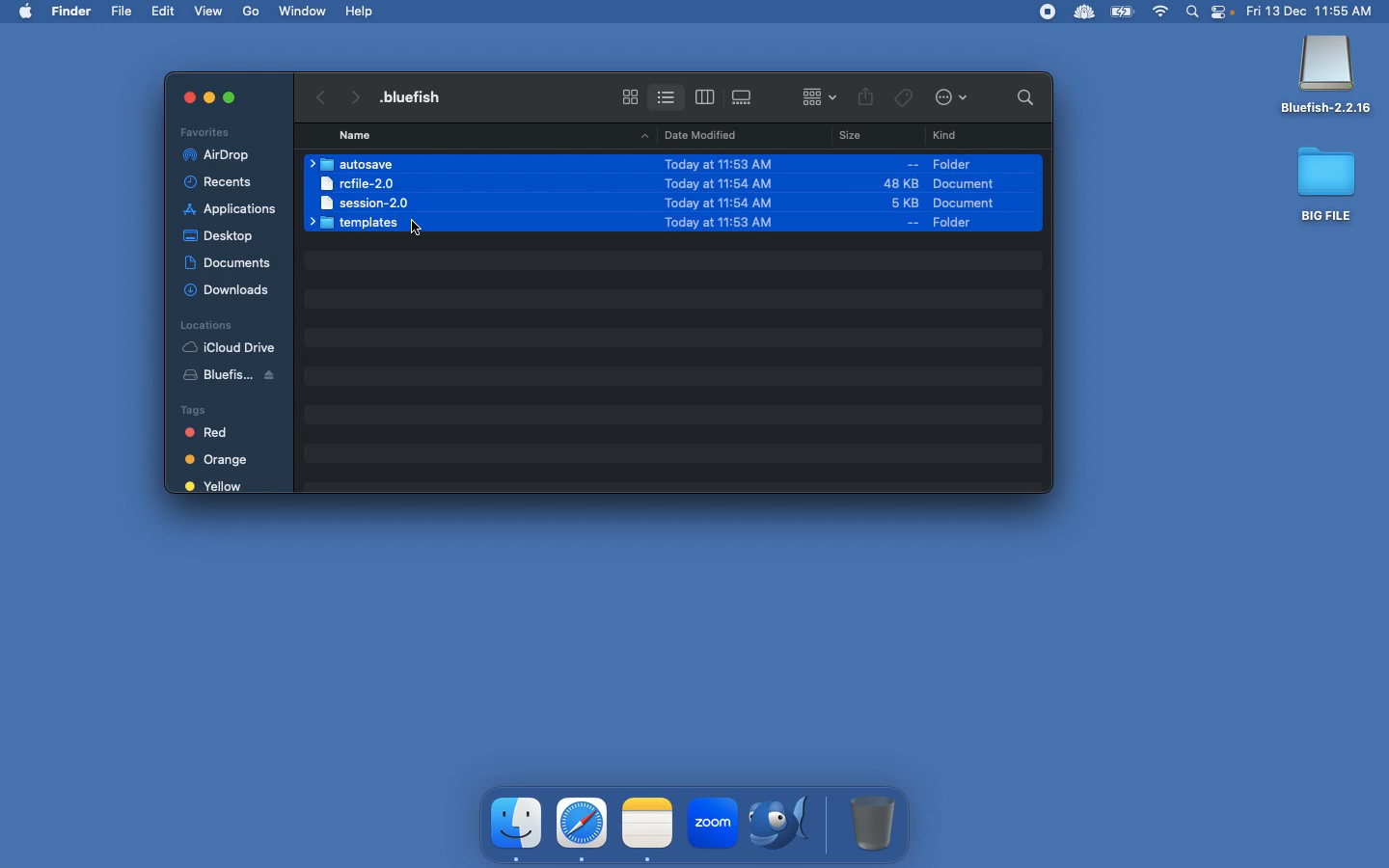  What do you see at coordinates (1316, 11) in the screenshot?
I see `Date time` at bounding box center [1316, 11].